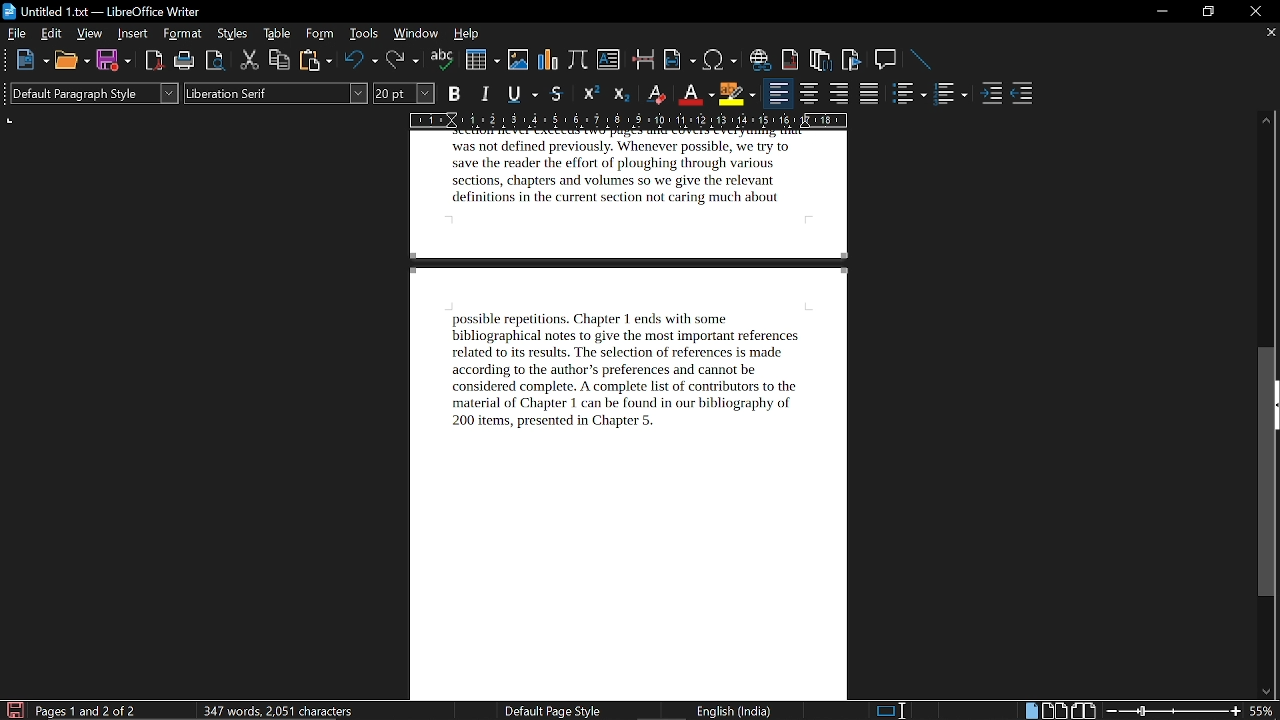 The height and width of the screenshot is (720, 1280). Describe the element at coordinates (488, 92) in the screenshot. I see `italic` at that location.